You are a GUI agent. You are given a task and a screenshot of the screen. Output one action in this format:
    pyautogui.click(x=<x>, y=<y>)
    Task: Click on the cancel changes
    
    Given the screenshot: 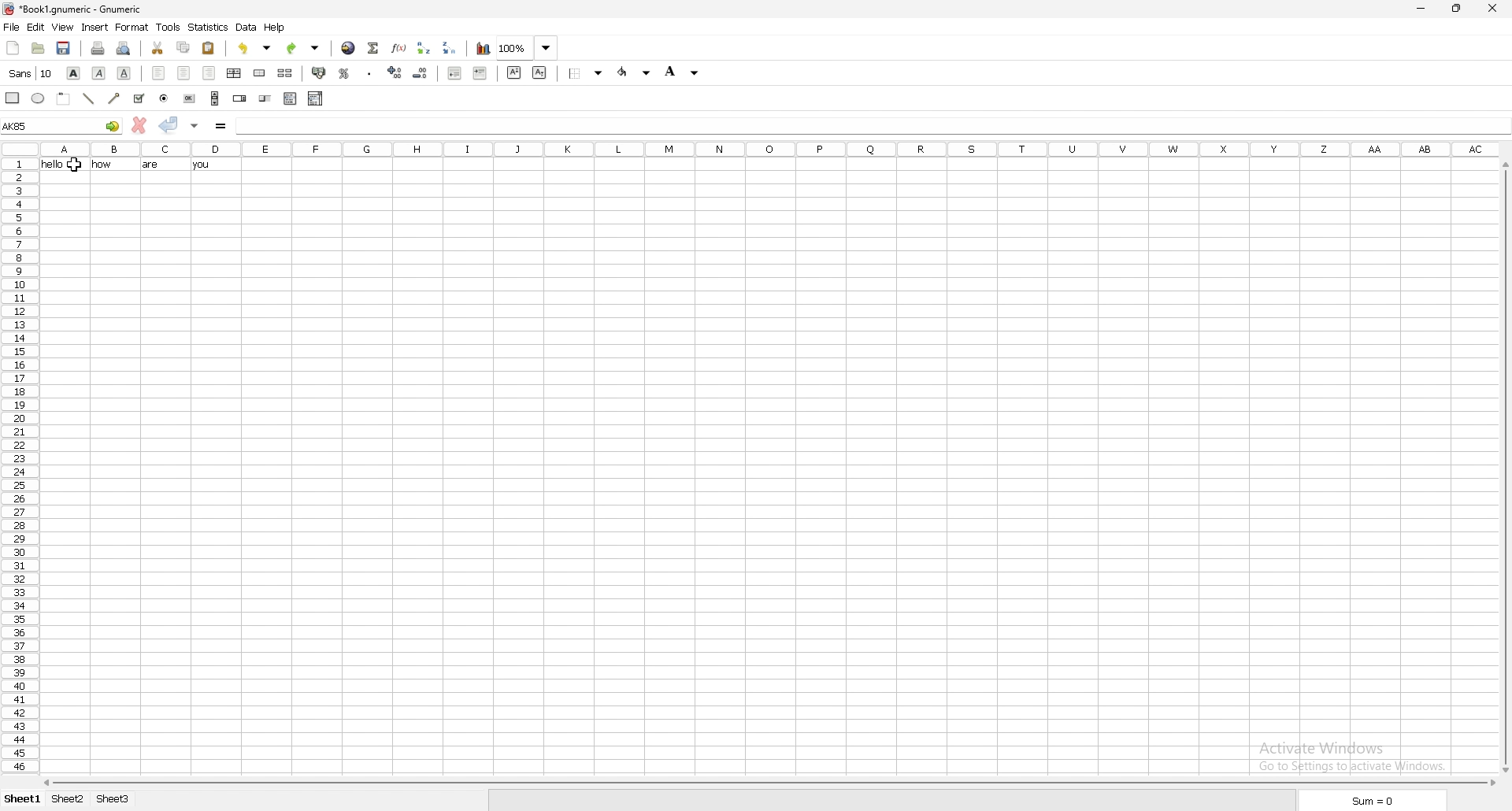 What is the action you would take?
    pyautogui.click(x=139, y=125)
    